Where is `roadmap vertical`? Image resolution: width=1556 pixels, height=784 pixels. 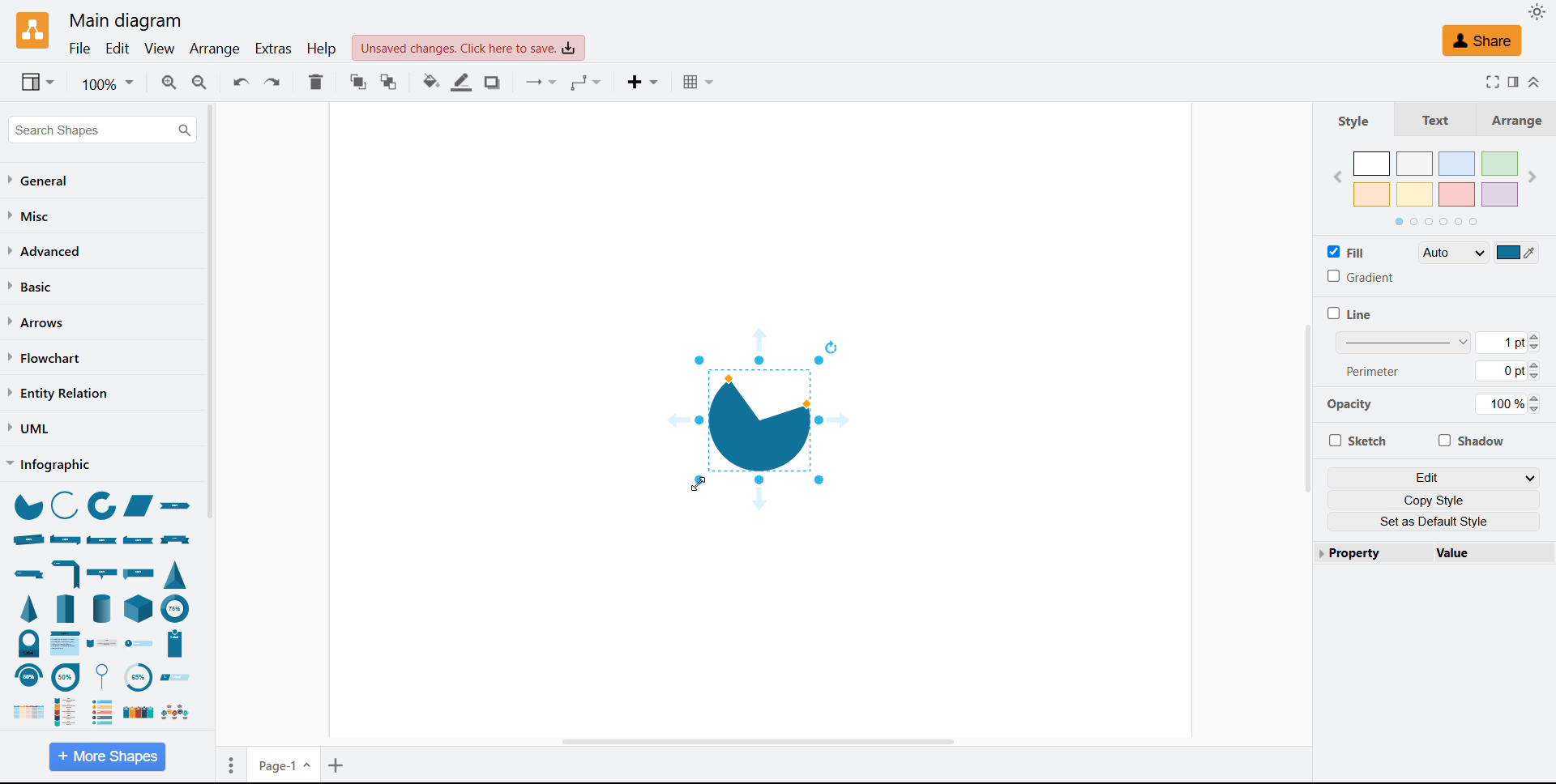
roadmap vertical is located at coordinates (71, 710).